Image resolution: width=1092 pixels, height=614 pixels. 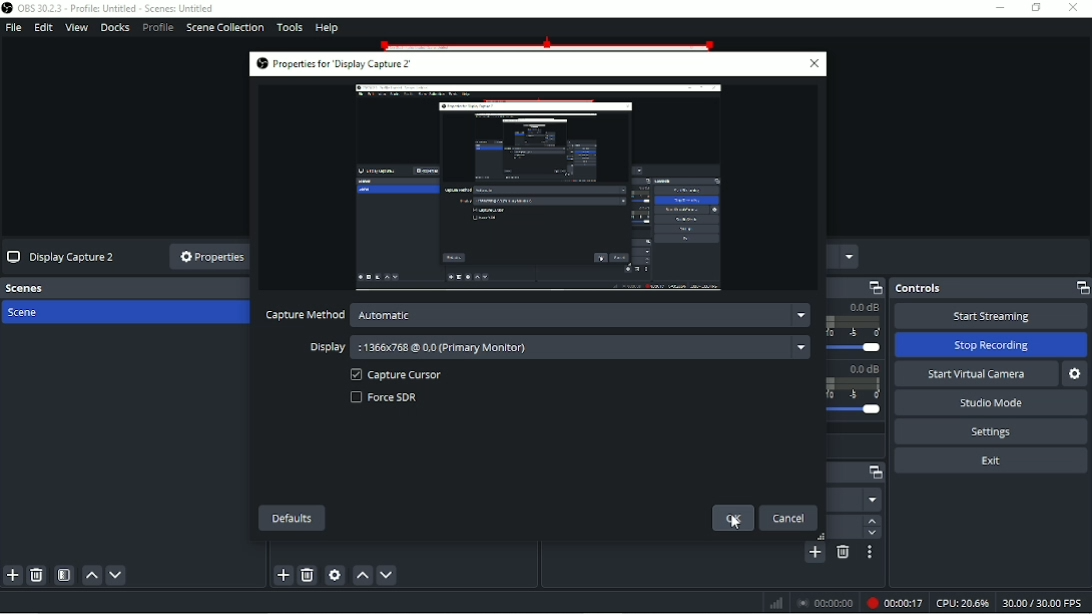 I want to click on 30.00/30.00 FPS, so click(x=1045, y=602).